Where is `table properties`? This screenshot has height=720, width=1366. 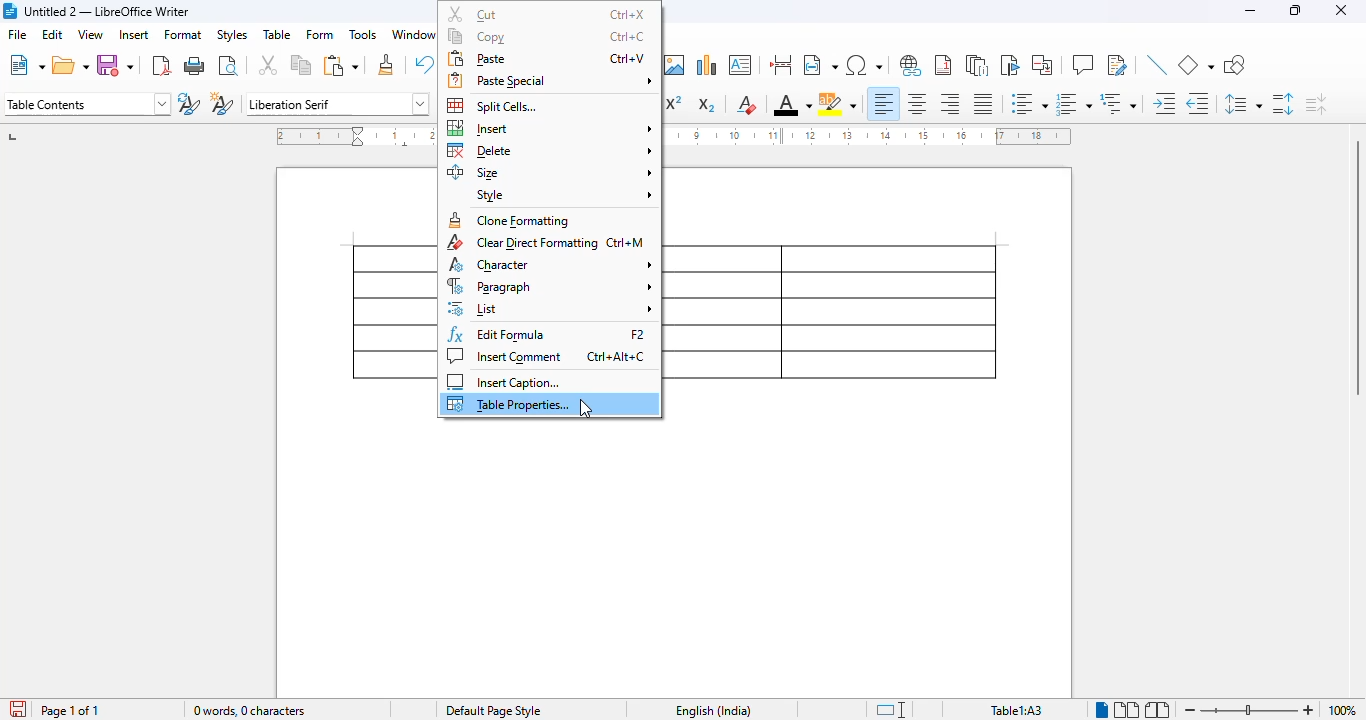
table properties is located at coordinates (507, 404).